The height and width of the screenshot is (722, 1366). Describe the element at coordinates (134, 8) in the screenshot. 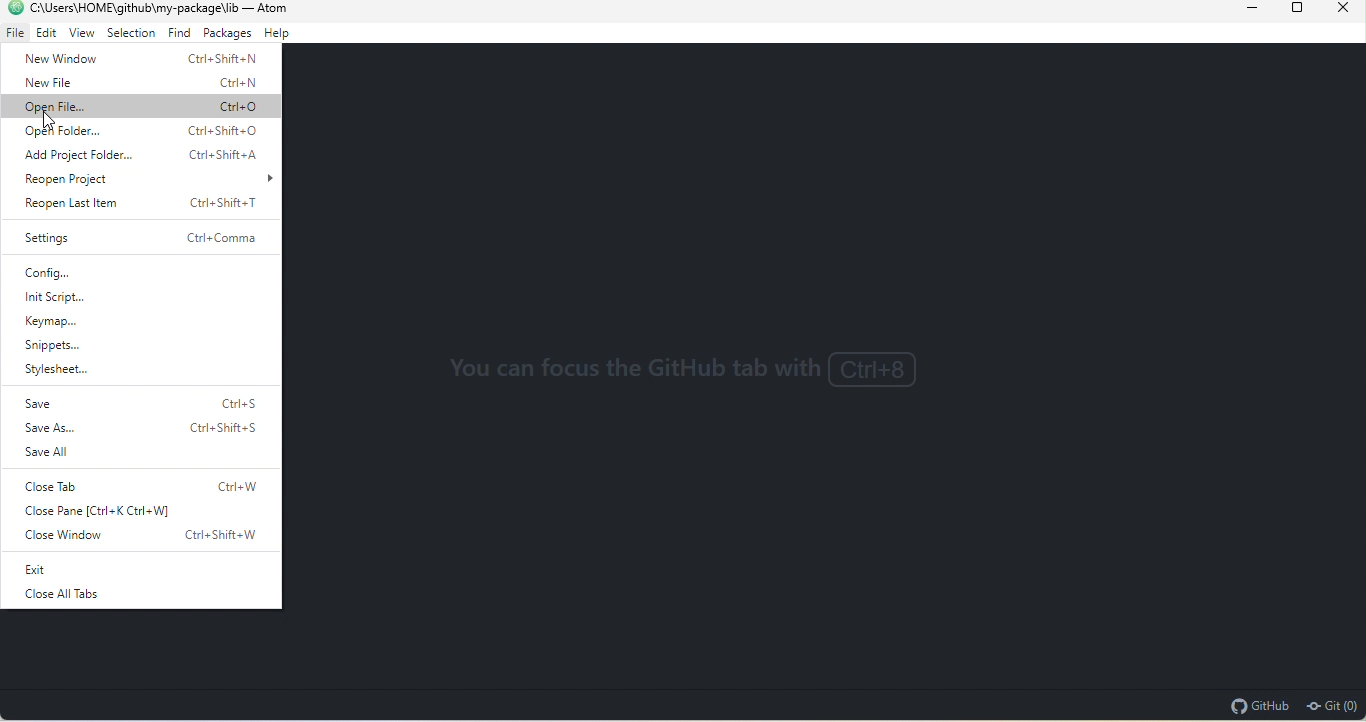

I see `directory path name` at that location.